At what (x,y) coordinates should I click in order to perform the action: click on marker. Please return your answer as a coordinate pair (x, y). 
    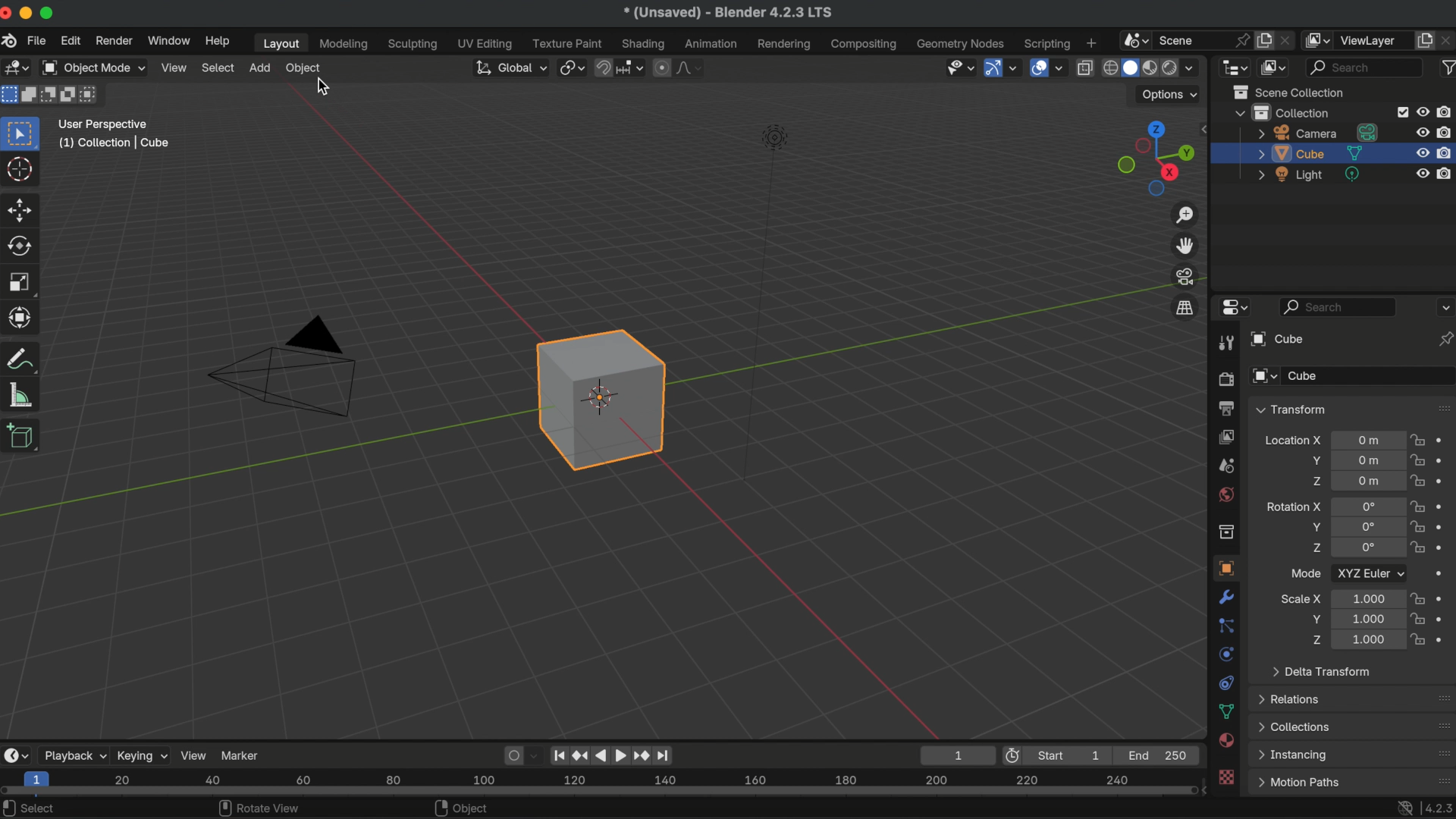
    Looking at the image, I should click on (243, 754).